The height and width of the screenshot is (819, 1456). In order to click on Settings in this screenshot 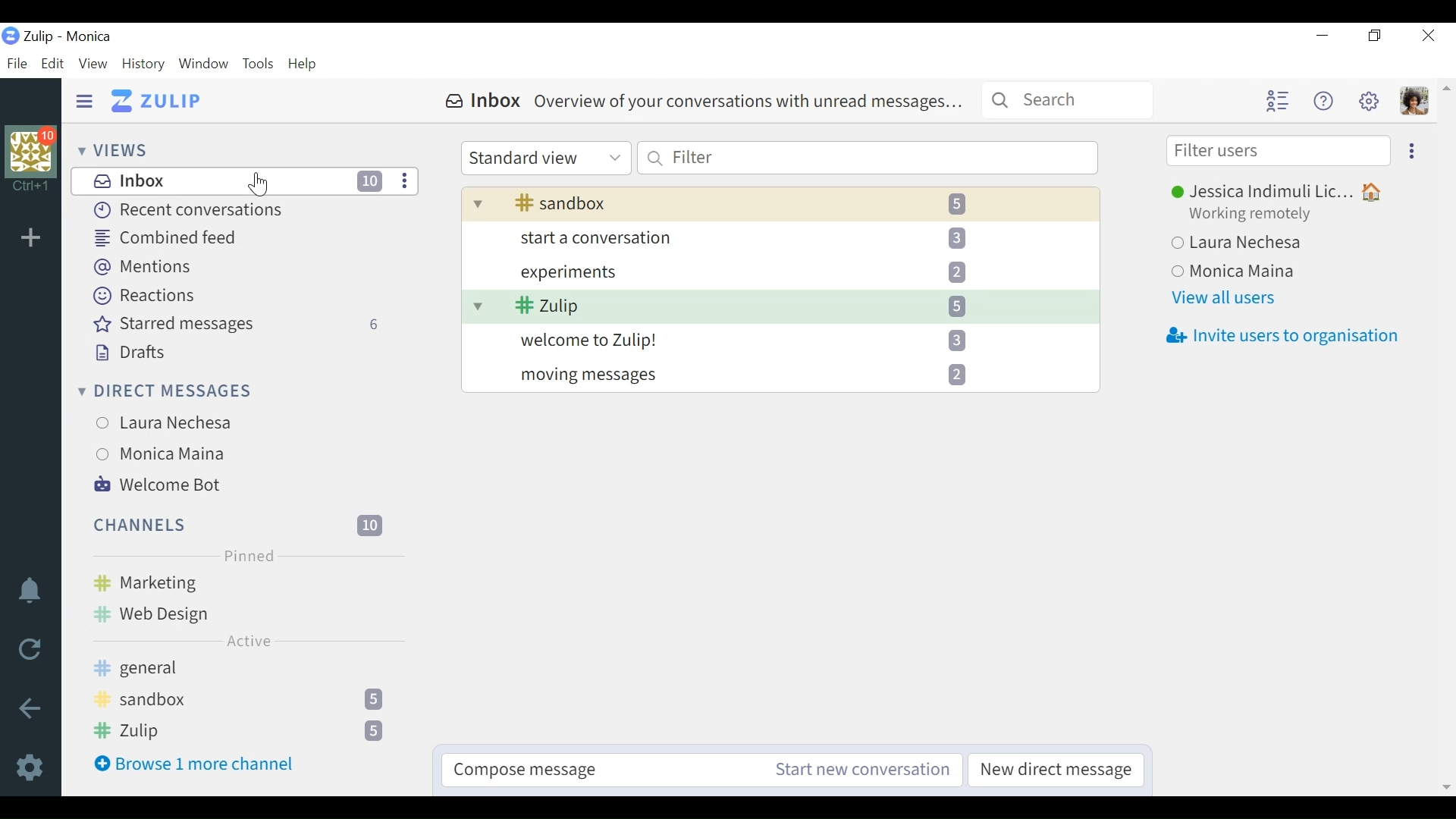, I will do `click(29, 764)`.